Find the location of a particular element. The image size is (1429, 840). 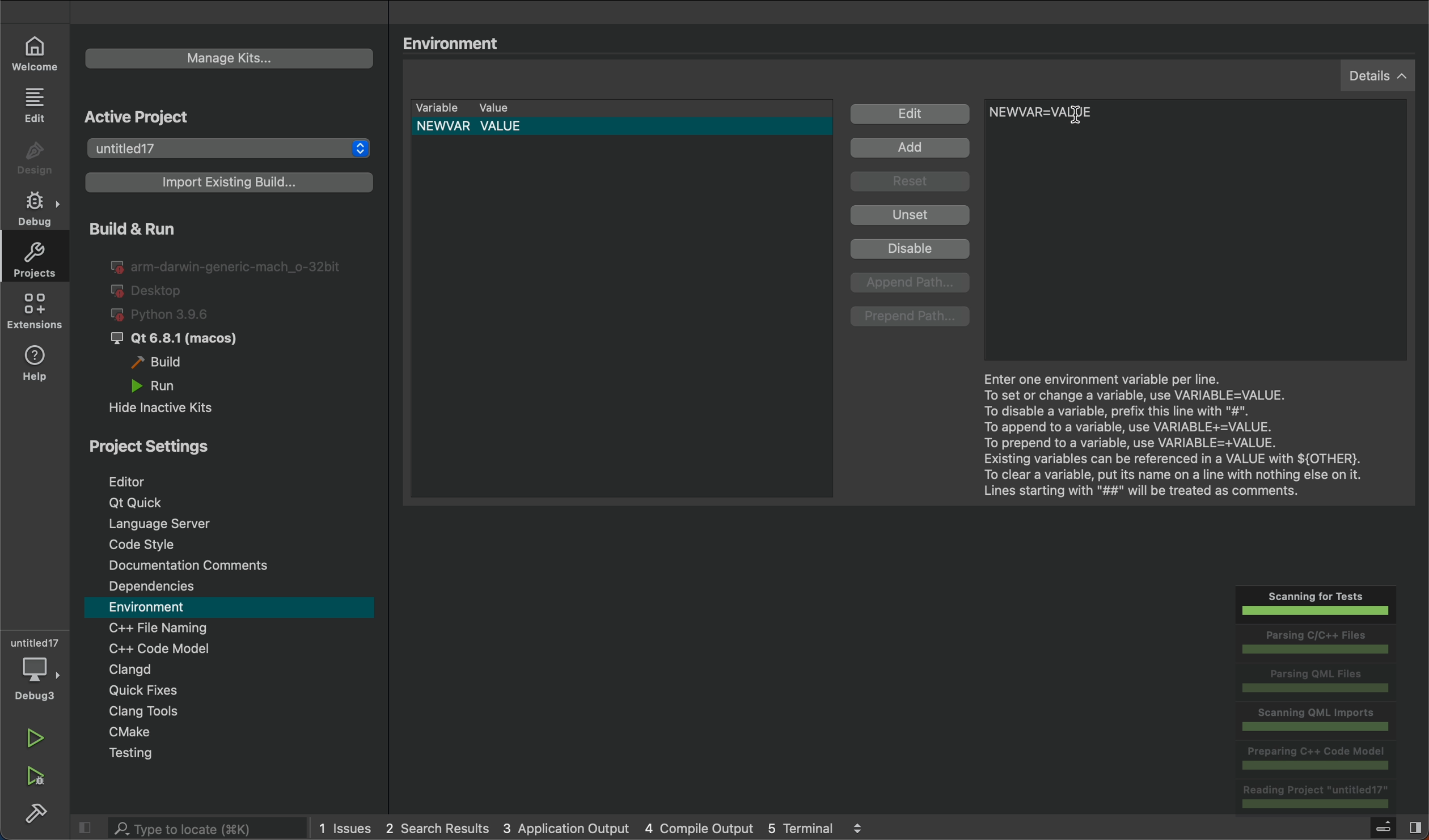

hide inactive kits is located at coordinates (173, 406).